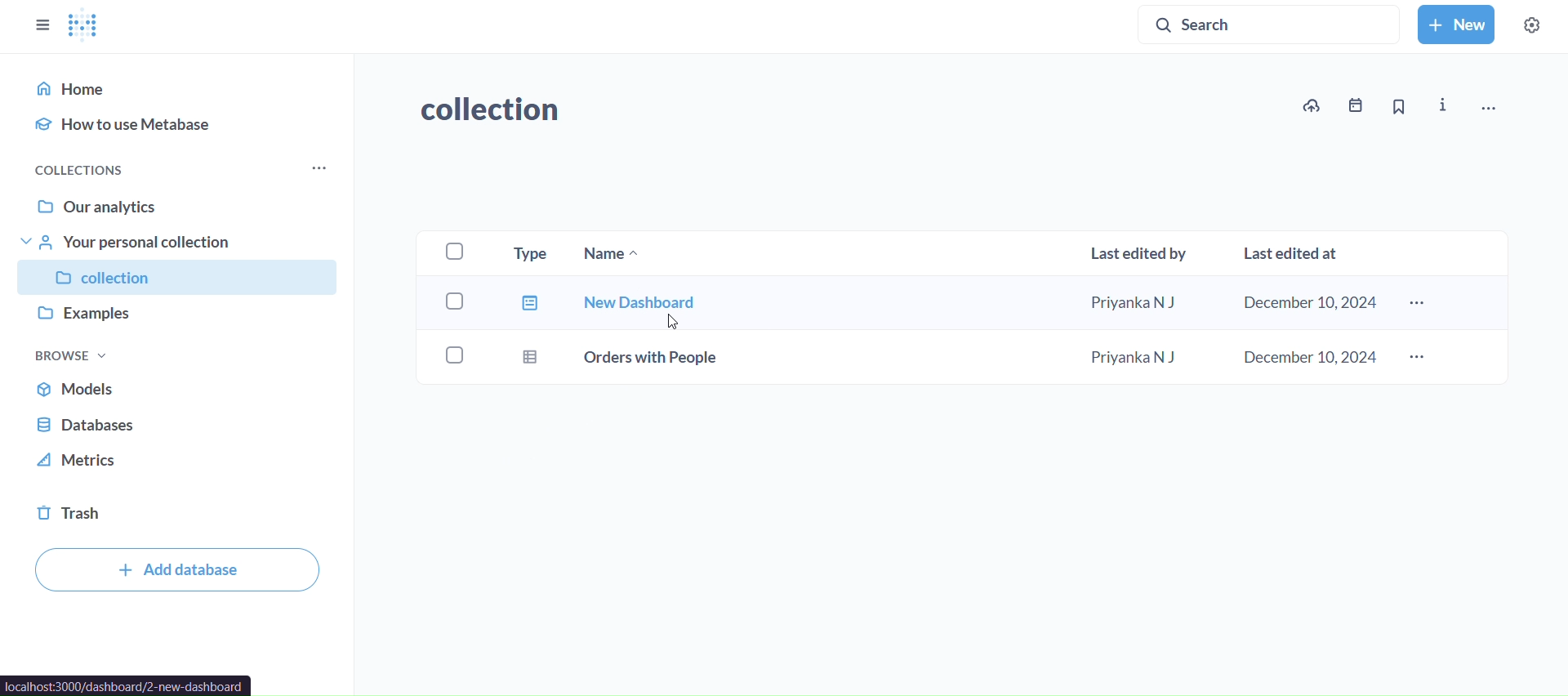  What do you see at coordinates (532, 253) in the screenshot?
I see `type` at bounding box center [532, 253].